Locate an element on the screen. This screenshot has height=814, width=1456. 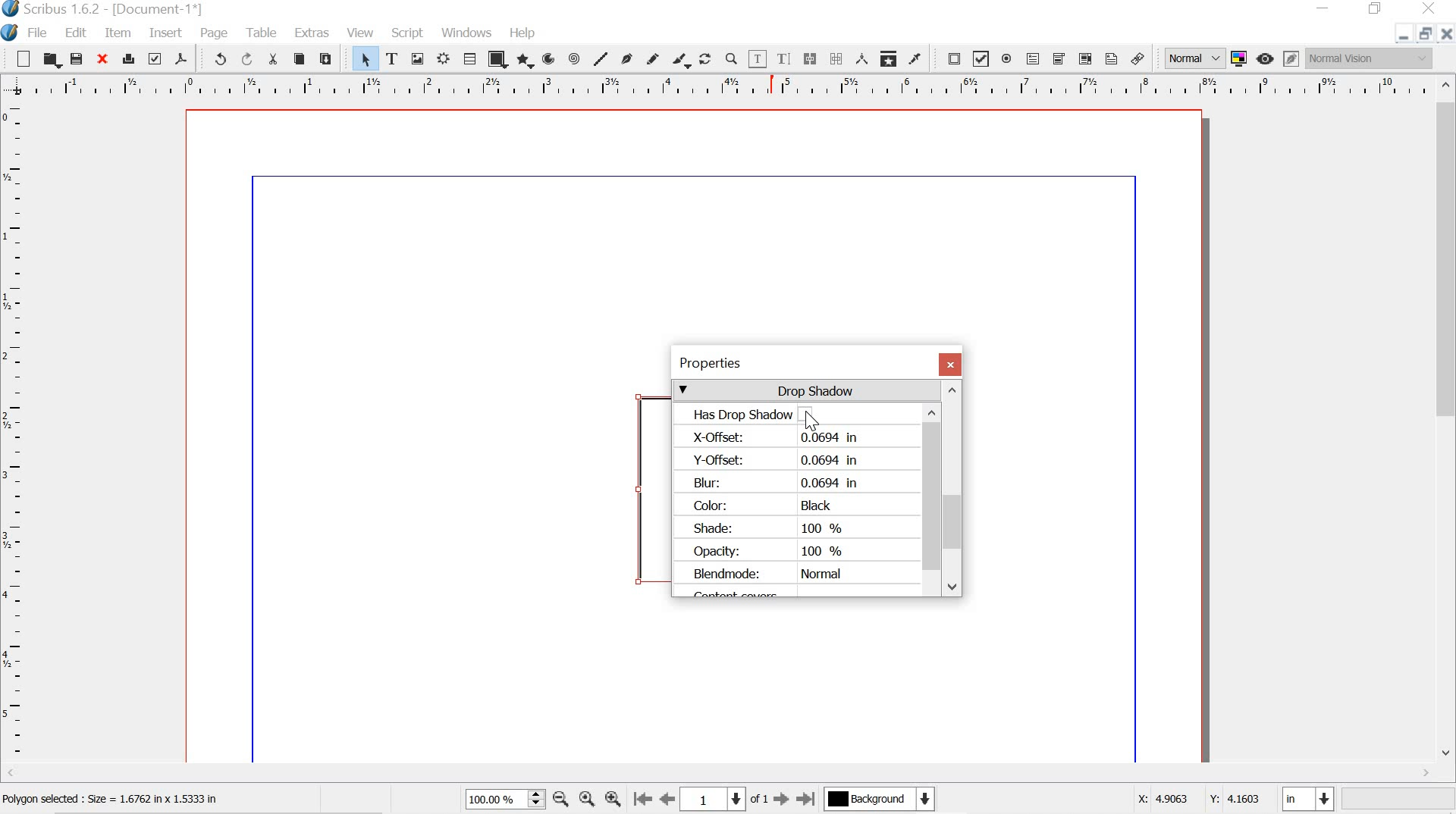
select item is located at coordinates (366, 59).